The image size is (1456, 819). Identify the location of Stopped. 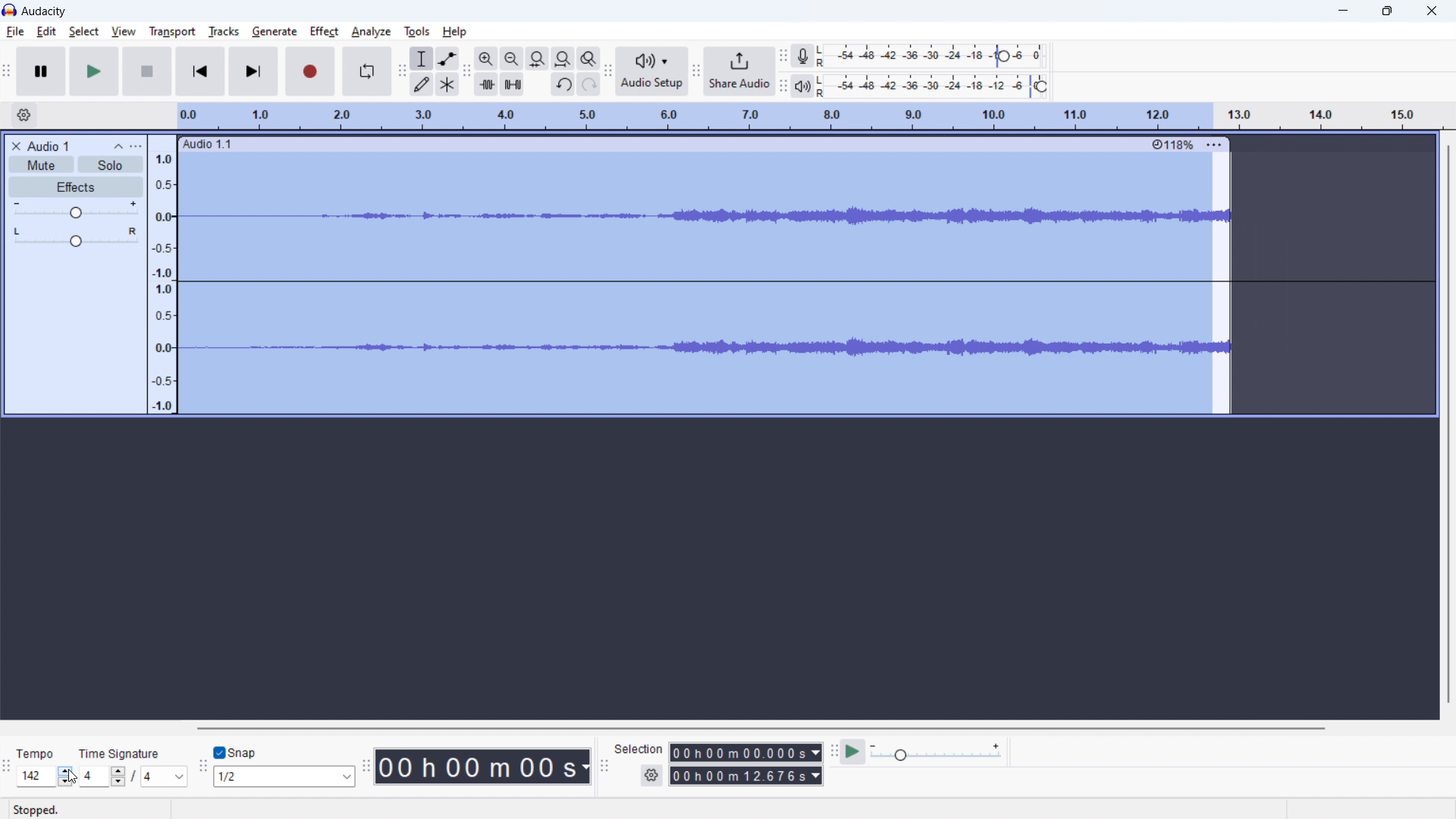
(37, 808).